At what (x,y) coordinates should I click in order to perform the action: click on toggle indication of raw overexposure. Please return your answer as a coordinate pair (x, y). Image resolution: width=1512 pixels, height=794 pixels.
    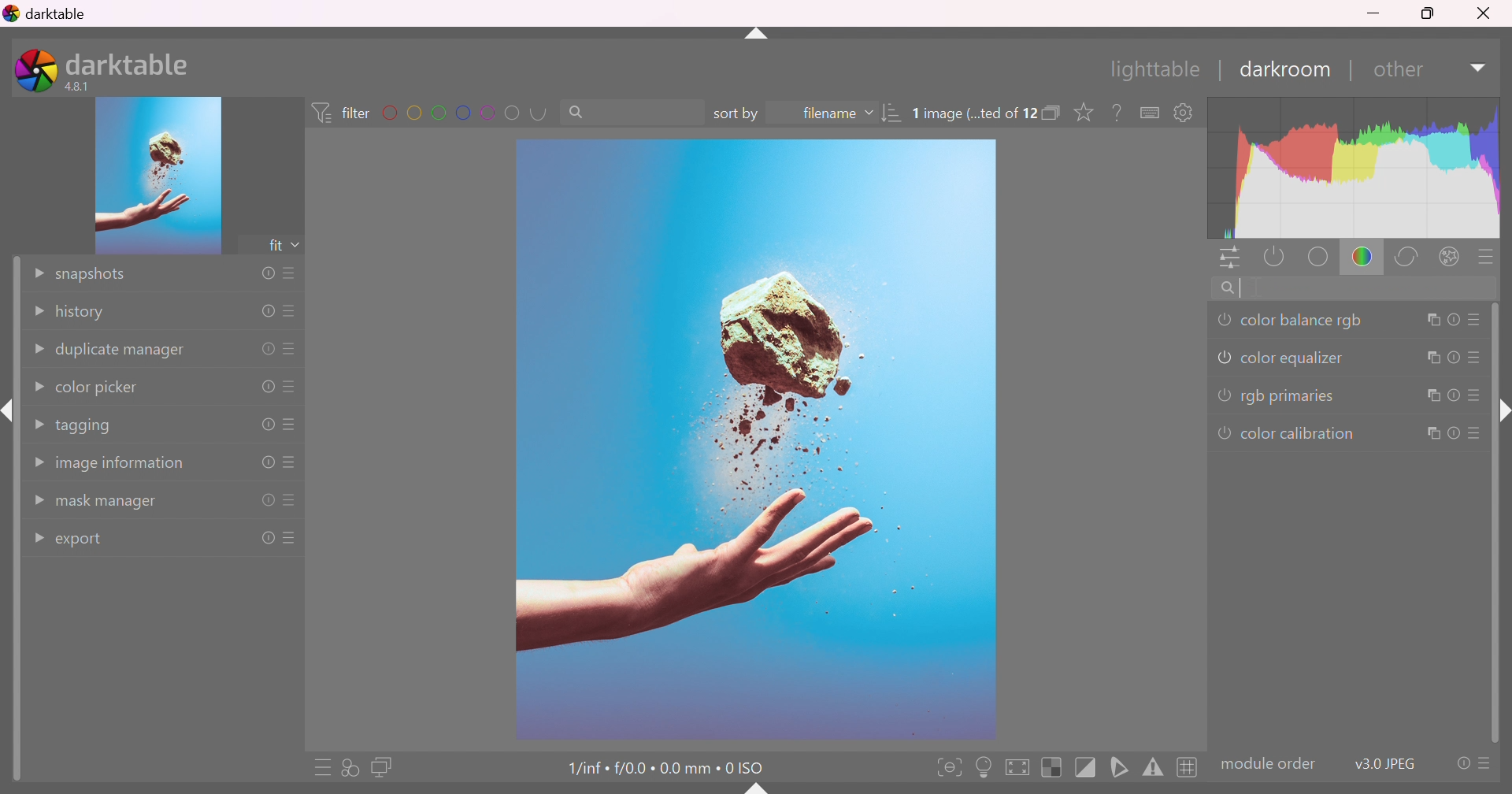
    Looking at the image, I should click on (1050, 766).